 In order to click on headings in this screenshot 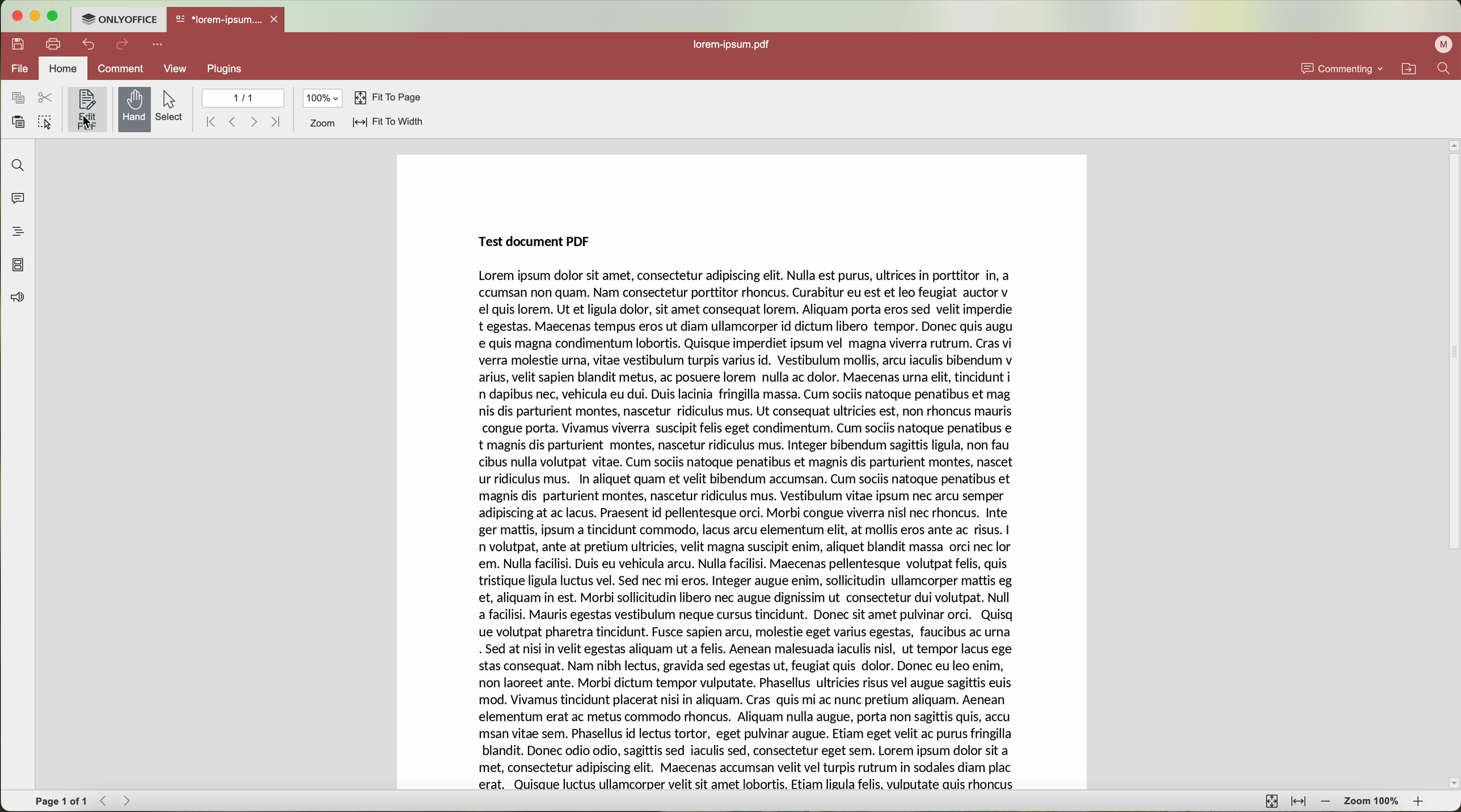, I will do `click(17, 232)`.